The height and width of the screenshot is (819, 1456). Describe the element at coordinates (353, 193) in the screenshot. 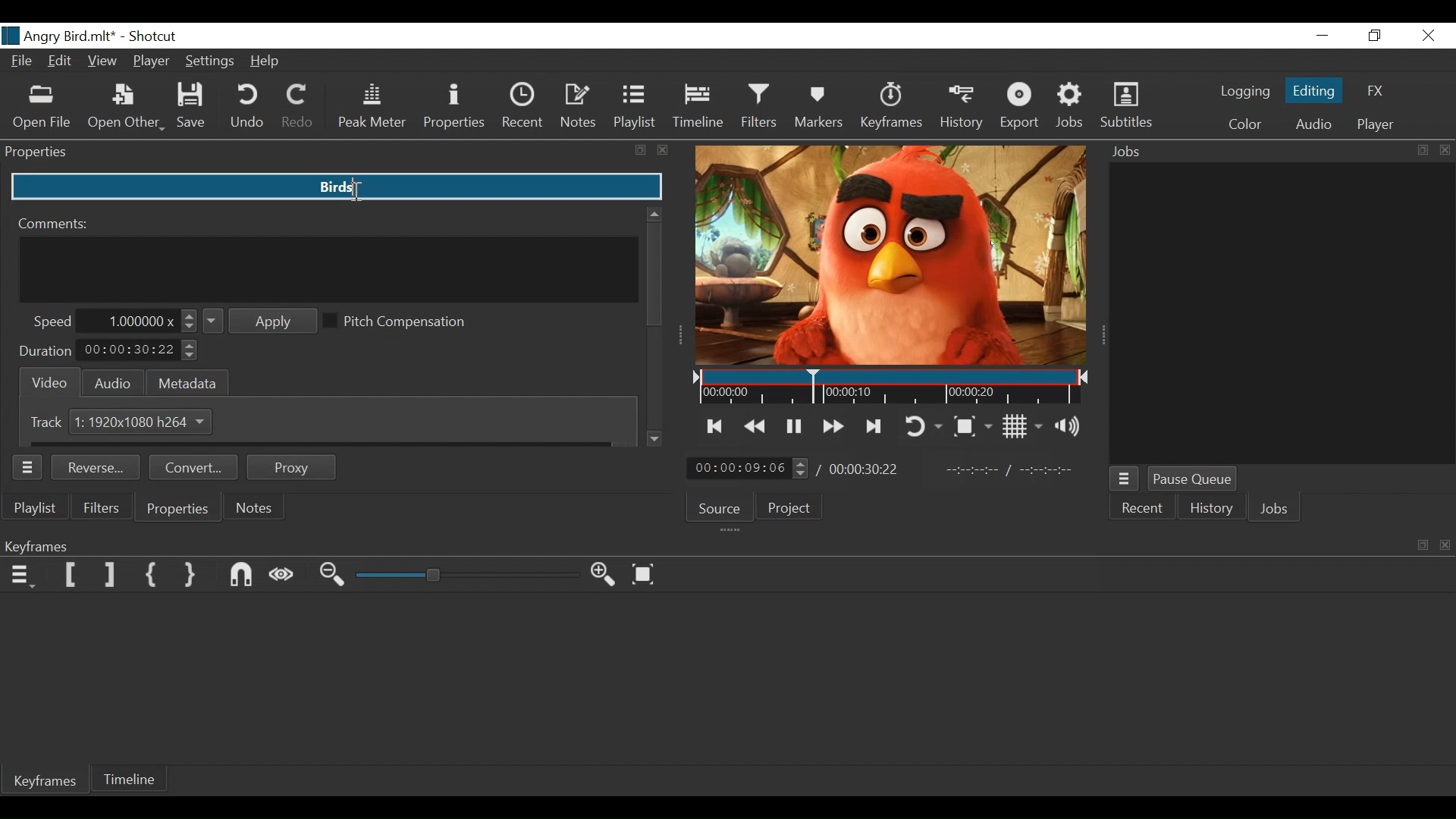

I see `Insertion cursor` at that location.